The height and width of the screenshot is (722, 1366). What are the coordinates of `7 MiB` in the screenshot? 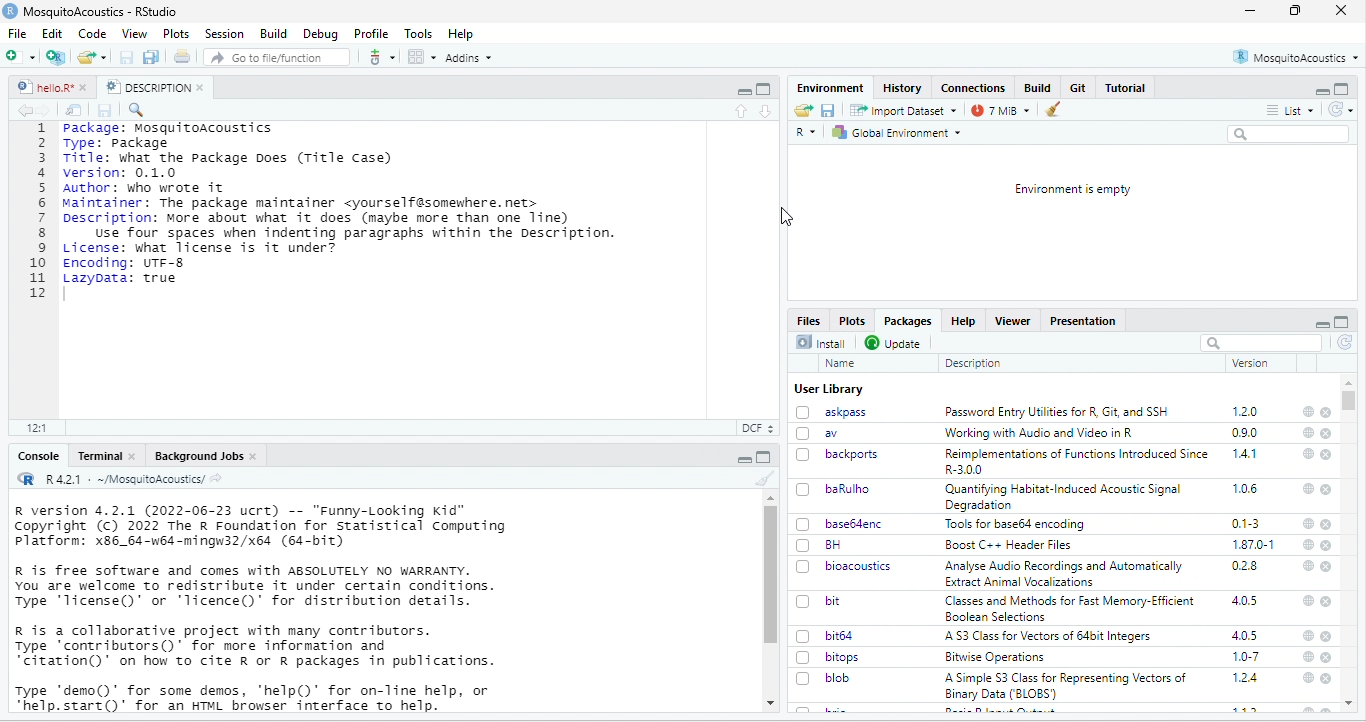 It's located at (1000, 110).